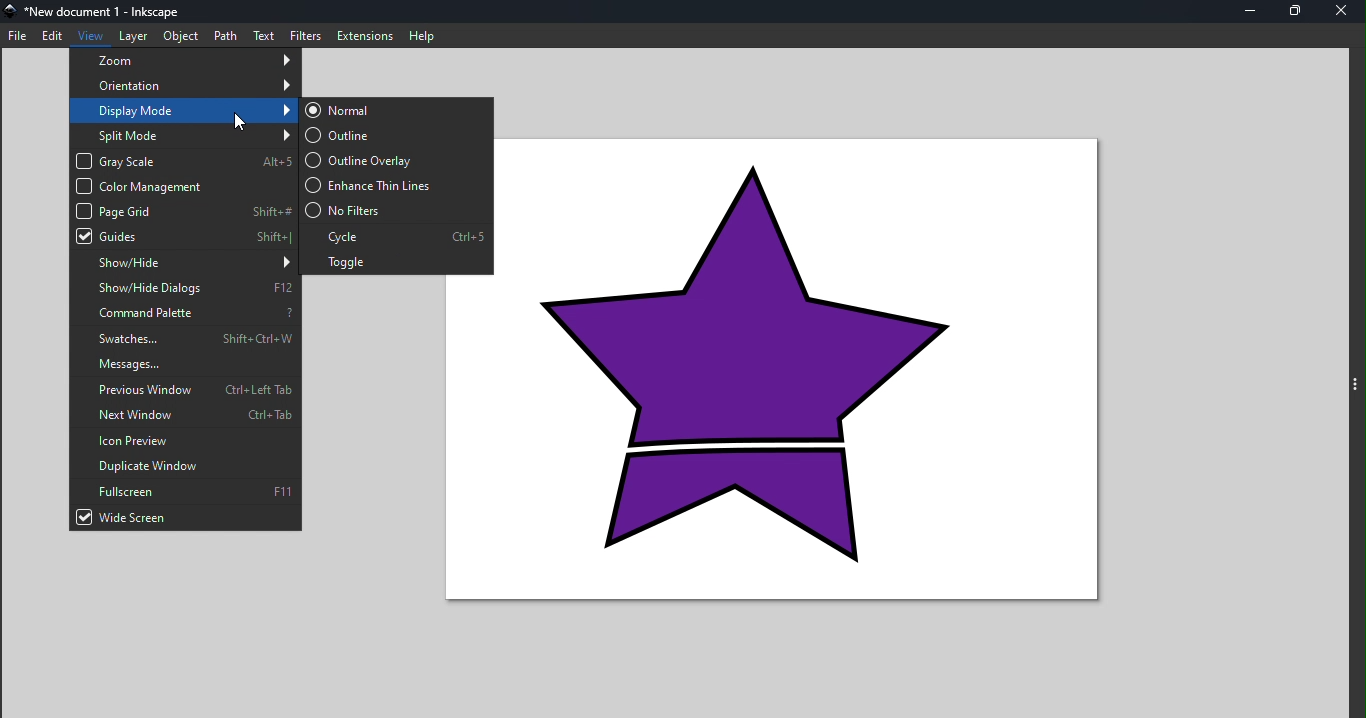  What do you see at coordinates (401, 158) in the screenshot?
I see `Outline overlay` at bounding box center [401, 158].